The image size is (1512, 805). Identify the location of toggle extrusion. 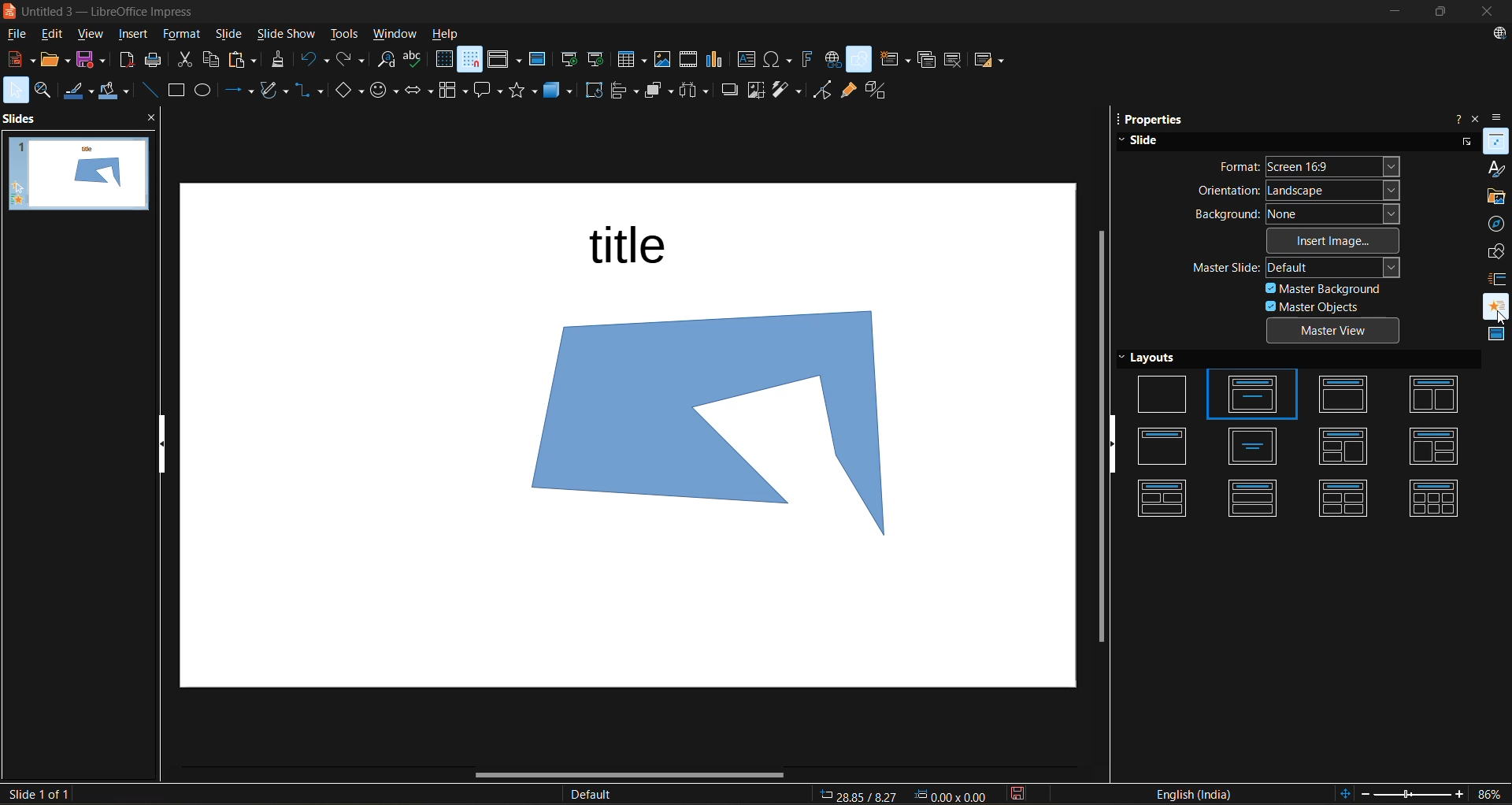
(876, 91).